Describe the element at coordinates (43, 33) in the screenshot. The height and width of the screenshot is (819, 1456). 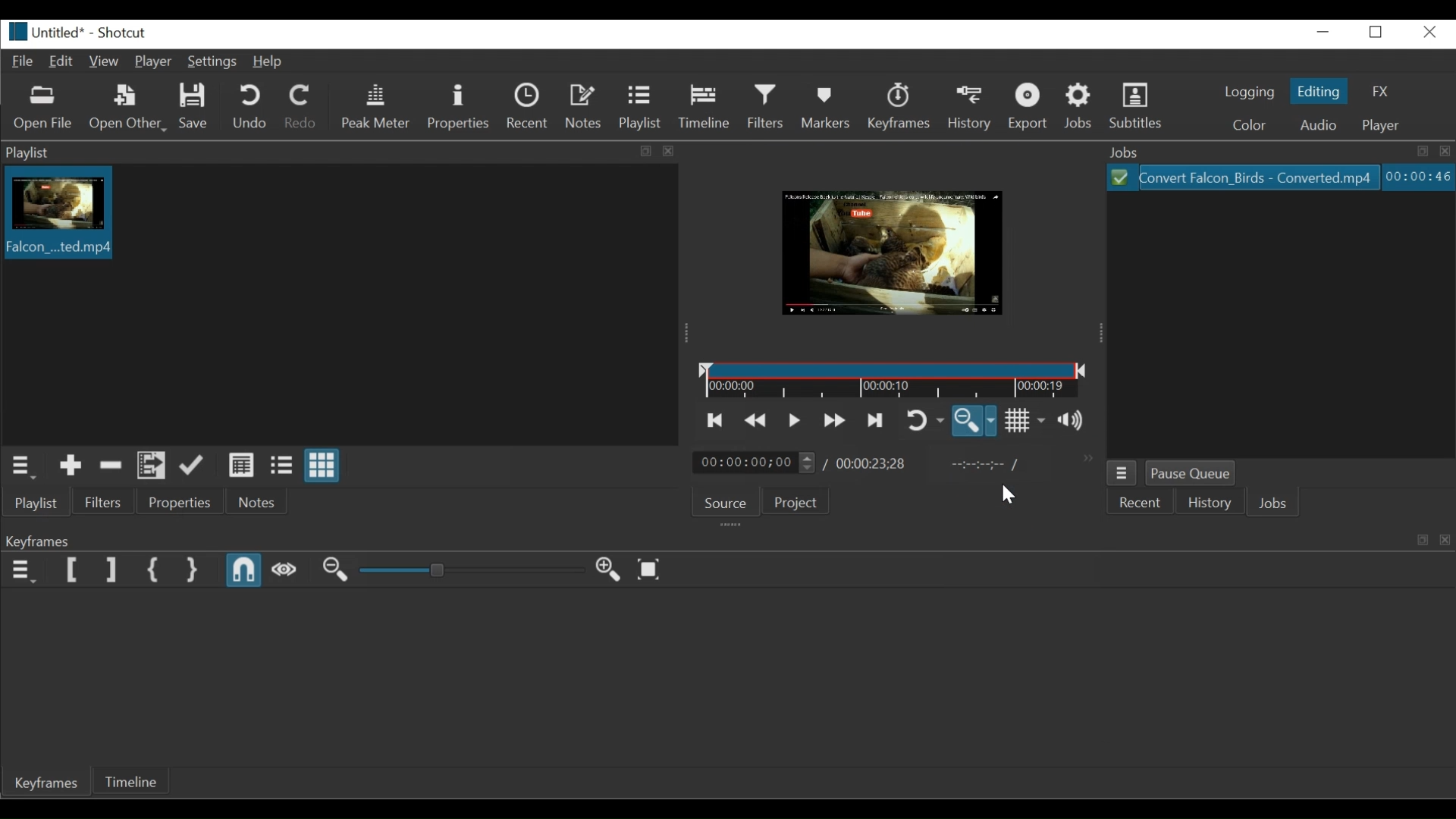
I see `File name` at that location.